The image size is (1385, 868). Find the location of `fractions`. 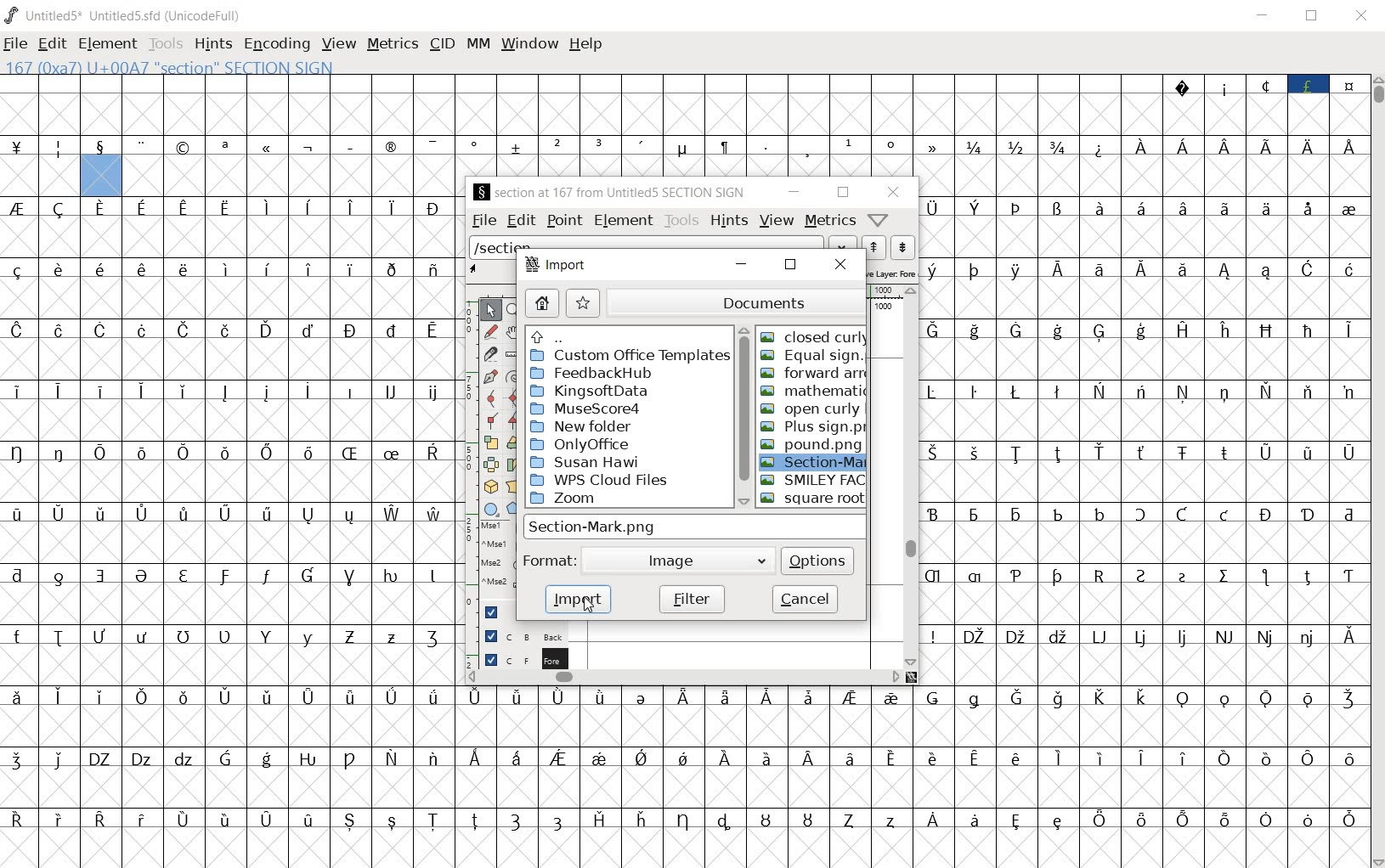

fractions is located at coordinates (1019, 146).